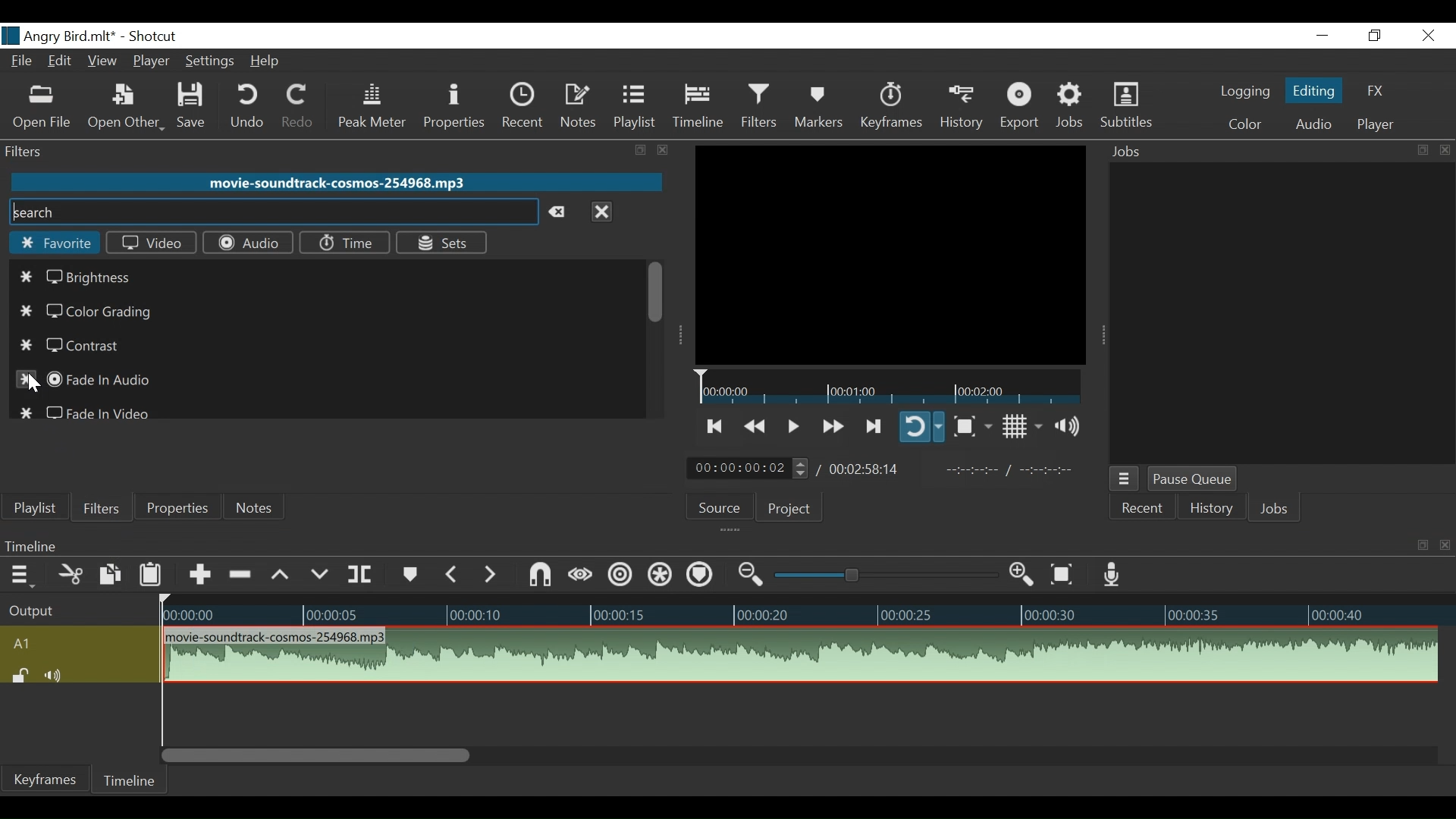 This screenshot has height=819, width=1456. Describe the element at coordinates (923, 428) in the screenshot. I see `Toggle player on looping` at that location.